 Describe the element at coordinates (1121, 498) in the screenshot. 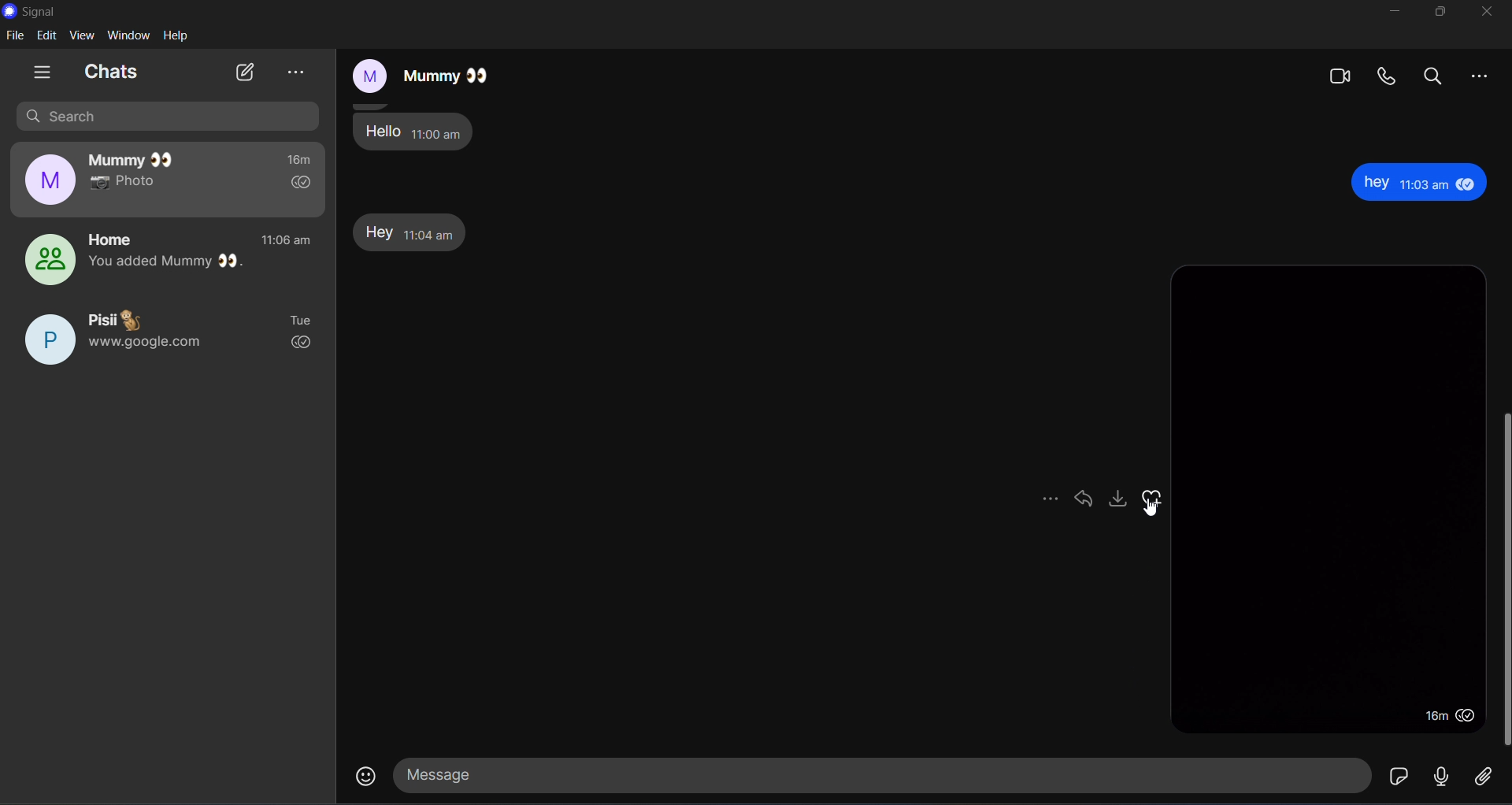

I see `download` at that location.